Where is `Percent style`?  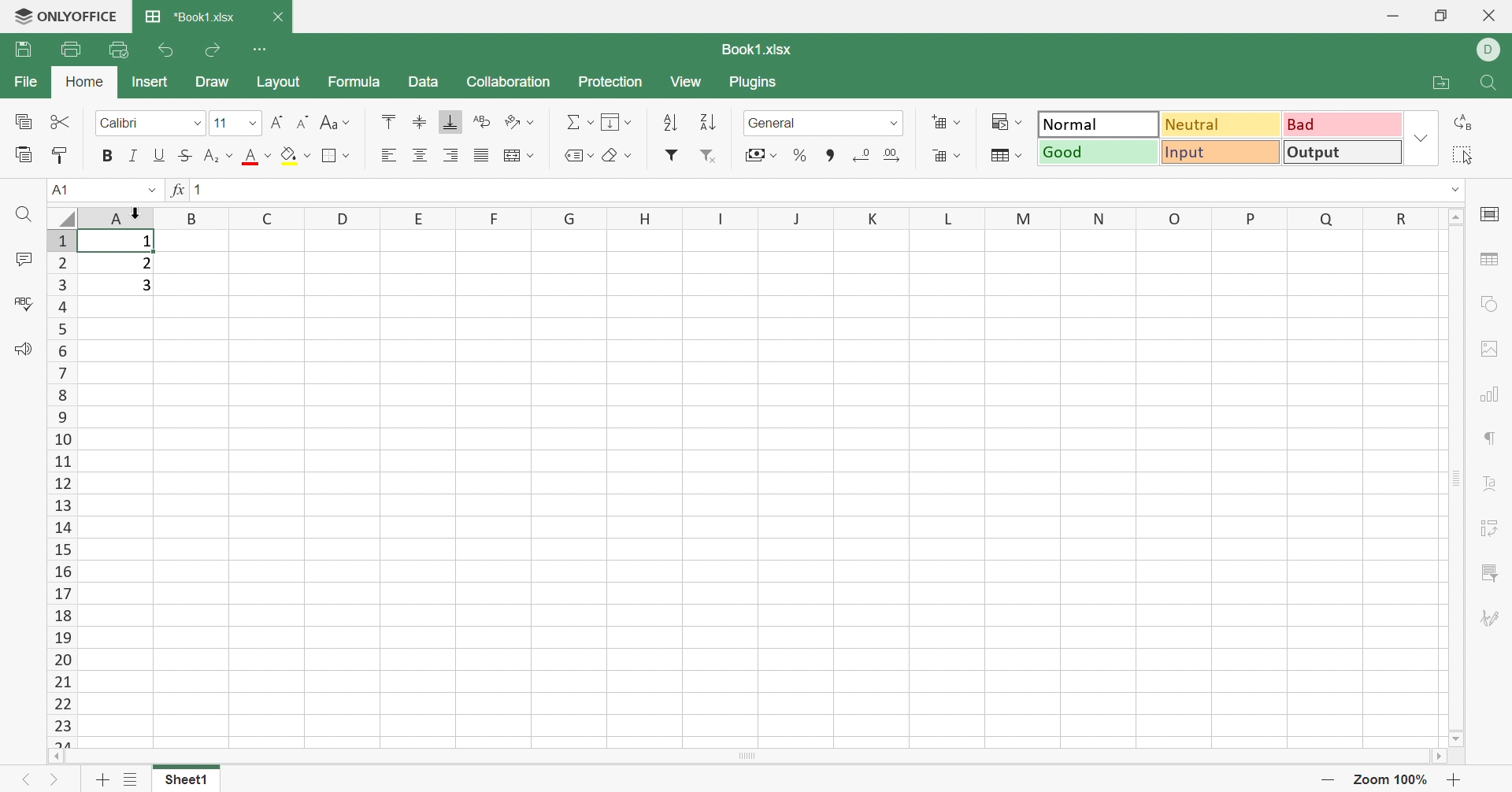 Percent style is located at coordinates (798, 156).